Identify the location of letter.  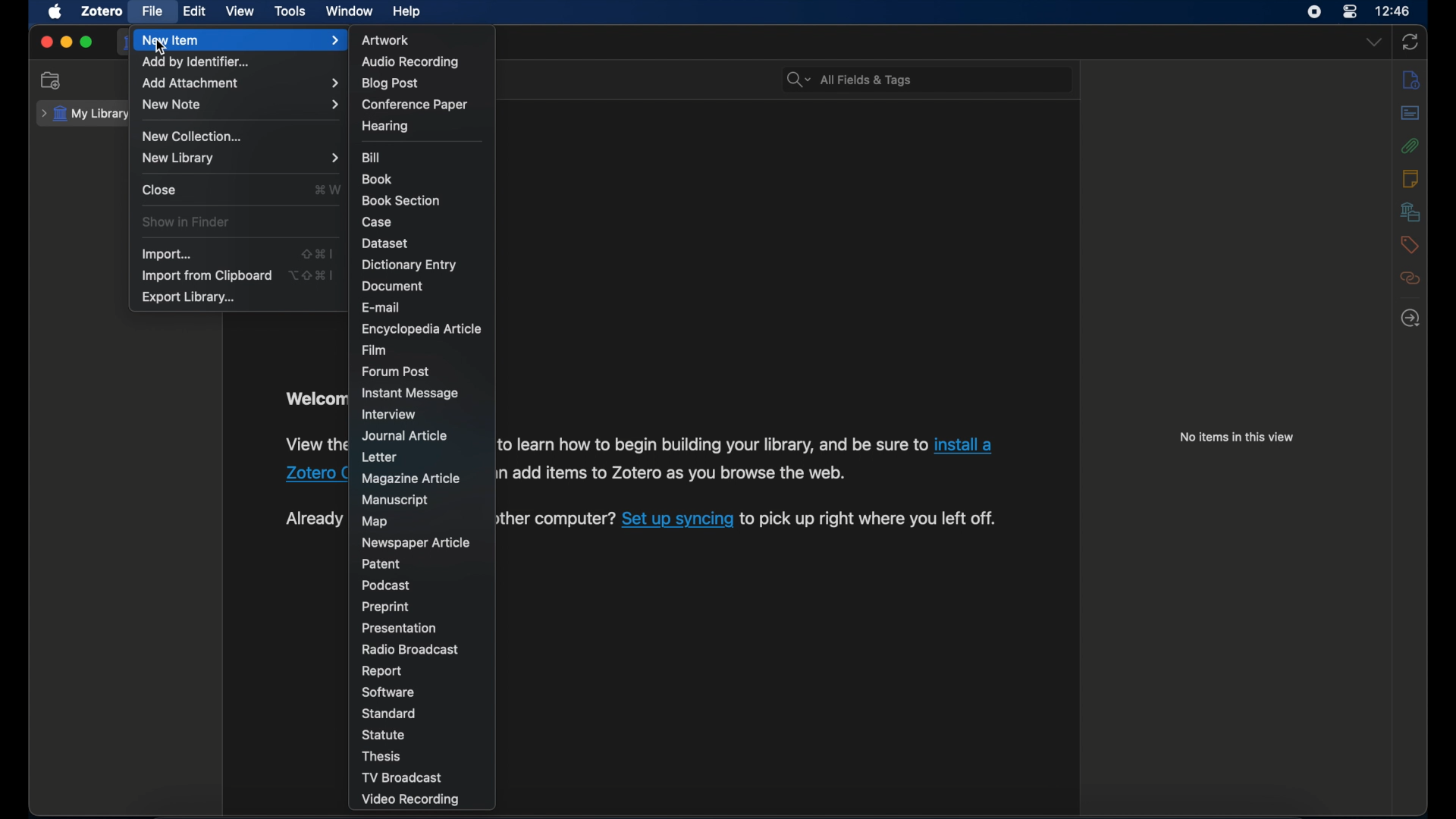
(378, 457).